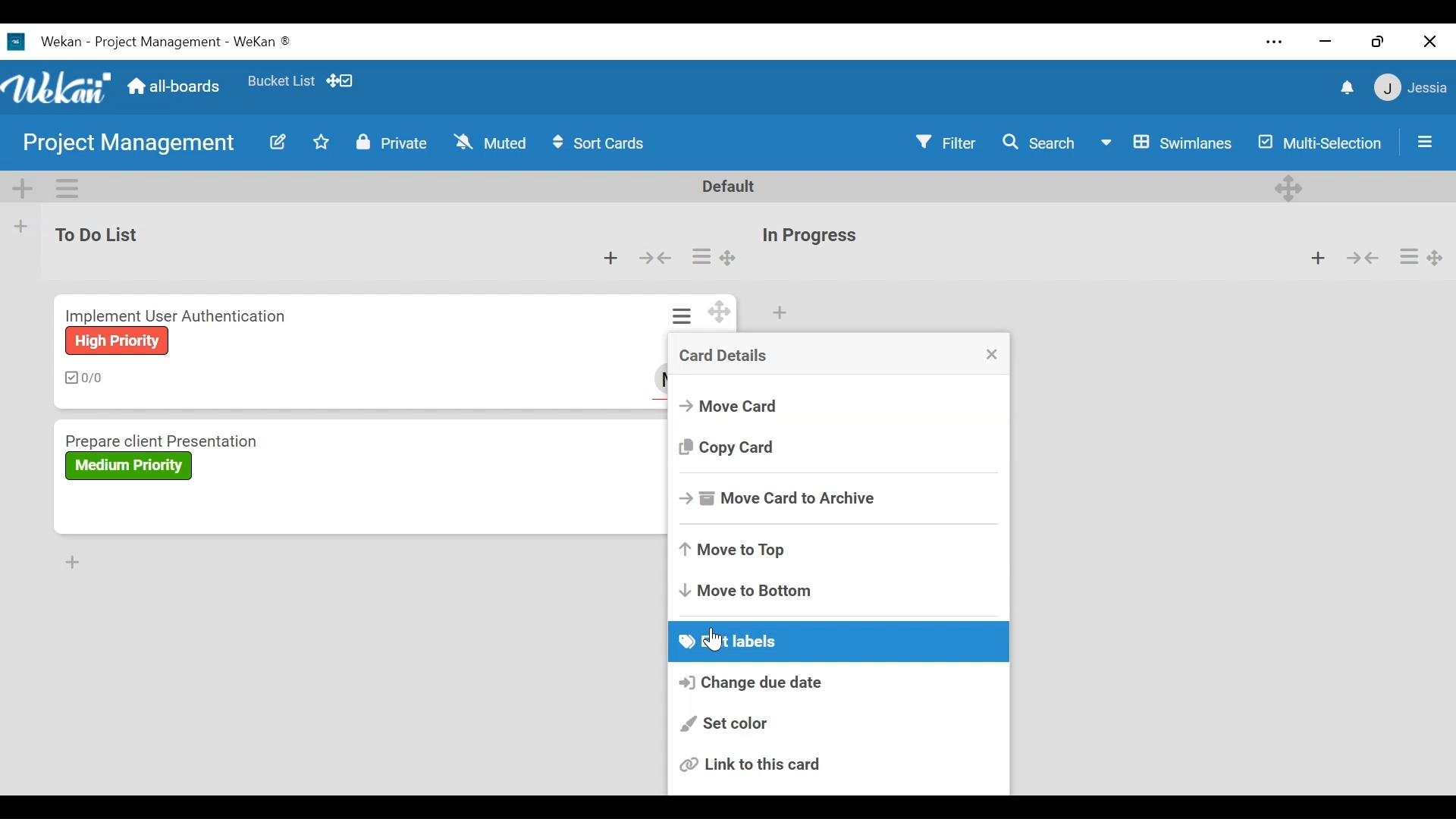 The height and width of the screenshot is (819, 1456). Describe the element at coordinates (1317, 256) in the screenshot. I see `Add Card to top of the list` at that location.